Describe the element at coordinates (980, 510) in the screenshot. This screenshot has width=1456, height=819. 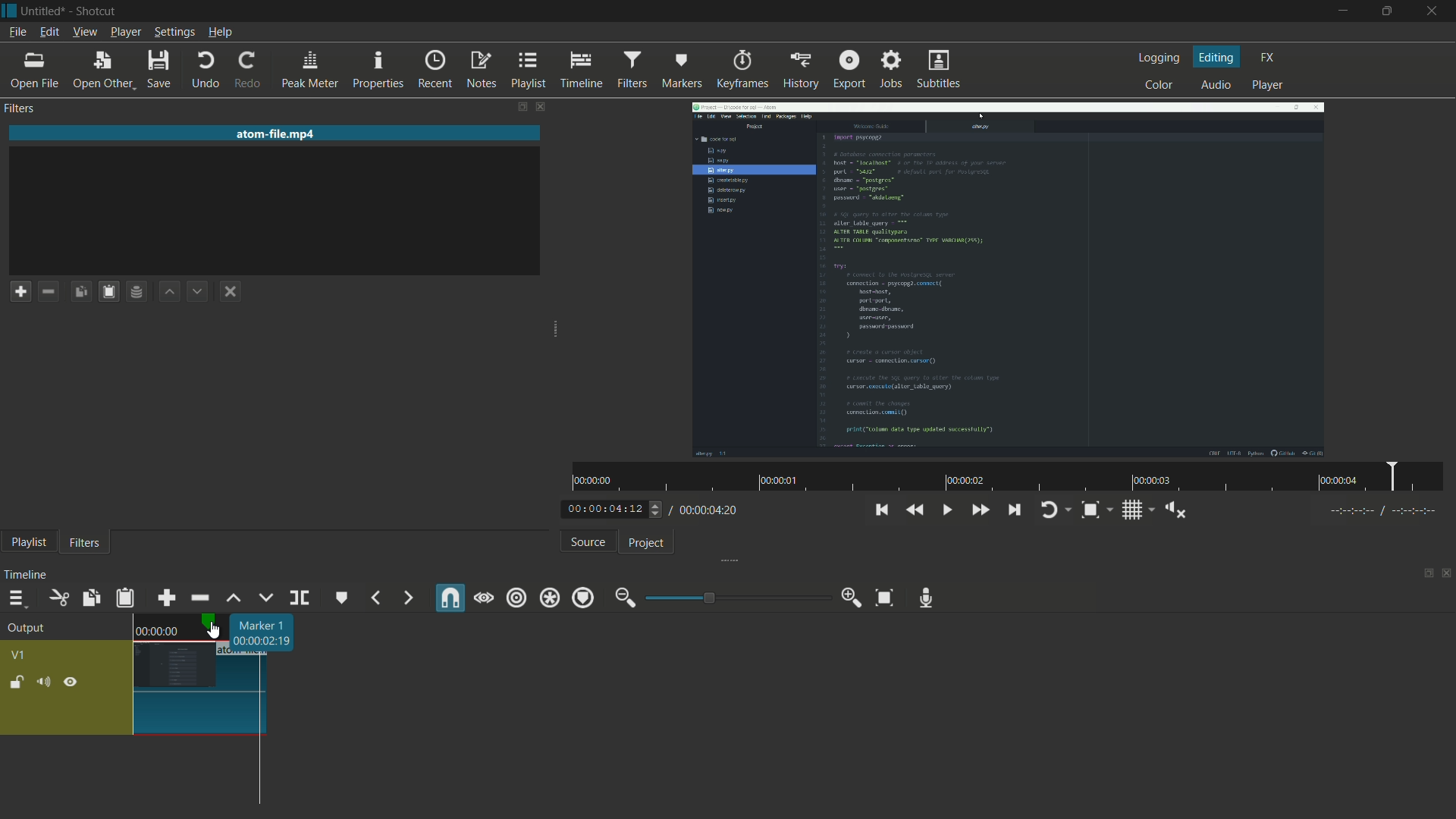
I see `quickly play forward` at that location.